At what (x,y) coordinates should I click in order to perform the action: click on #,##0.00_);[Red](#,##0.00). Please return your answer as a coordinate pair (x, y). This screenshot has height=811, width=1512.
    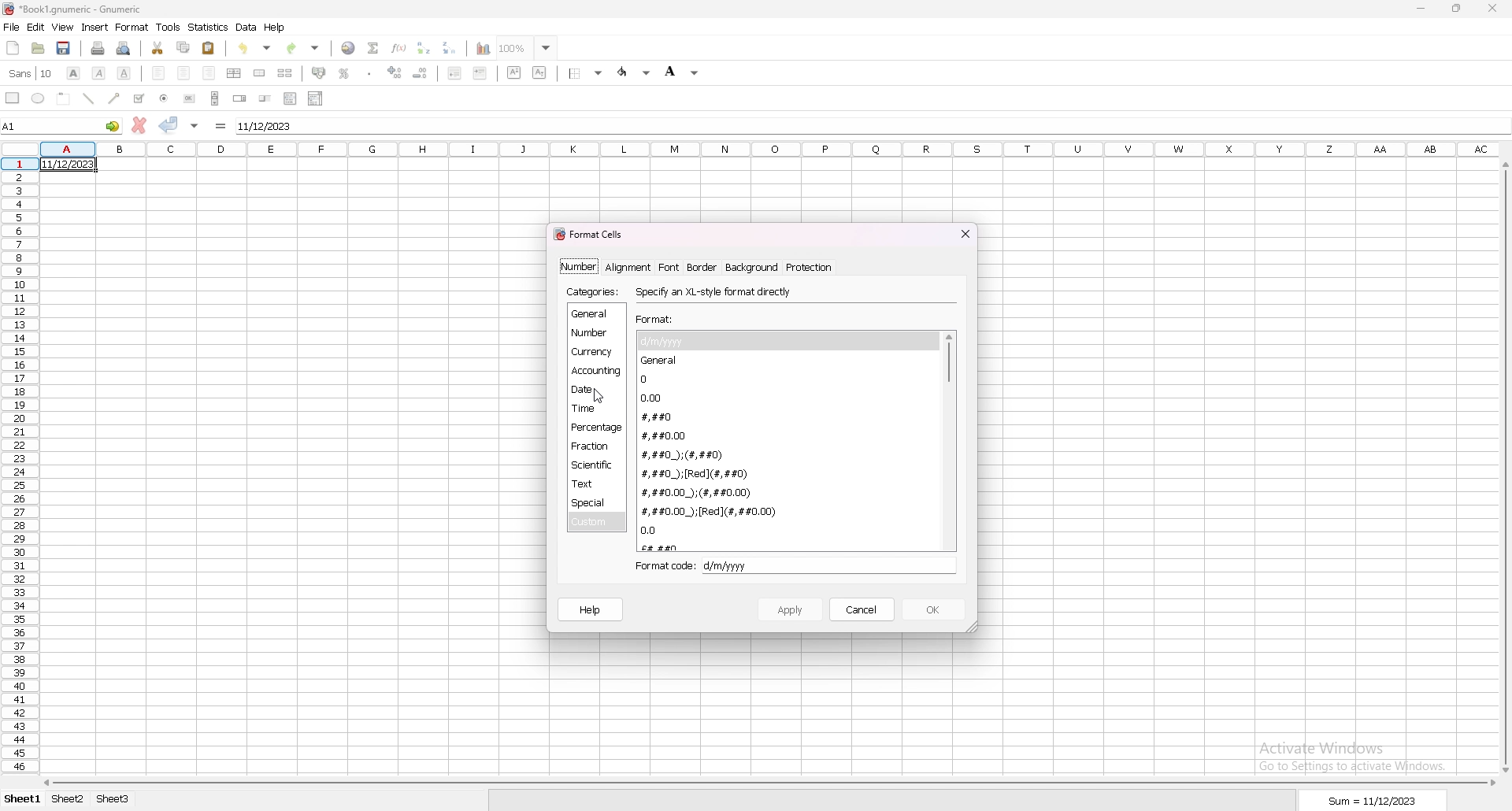
    Looking at the image, I should click on (710, 512).